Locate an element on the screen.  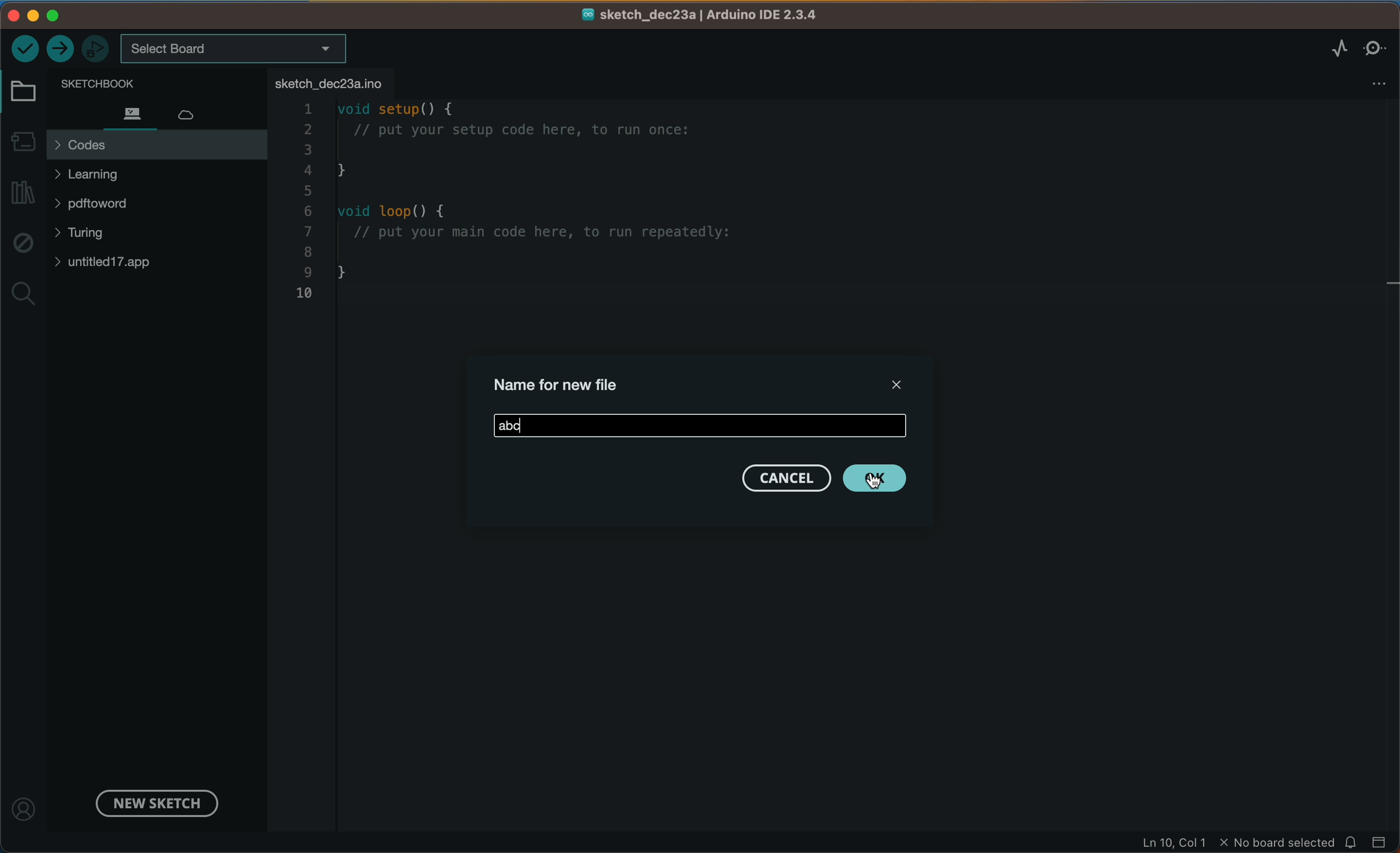
name for new file is located at coordinates (563, 382).